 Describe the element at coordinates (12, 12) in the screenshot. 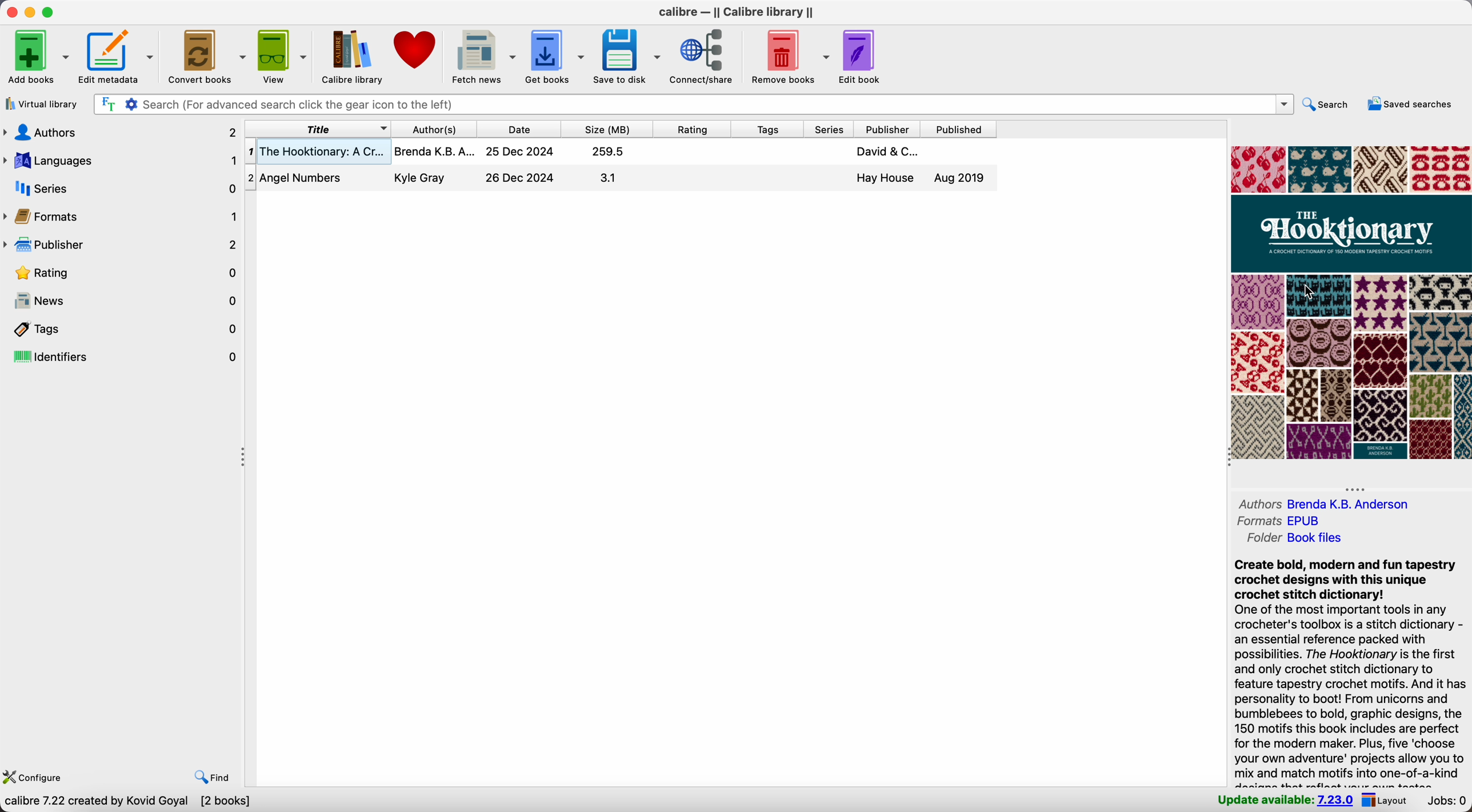

I see `close` at that location.